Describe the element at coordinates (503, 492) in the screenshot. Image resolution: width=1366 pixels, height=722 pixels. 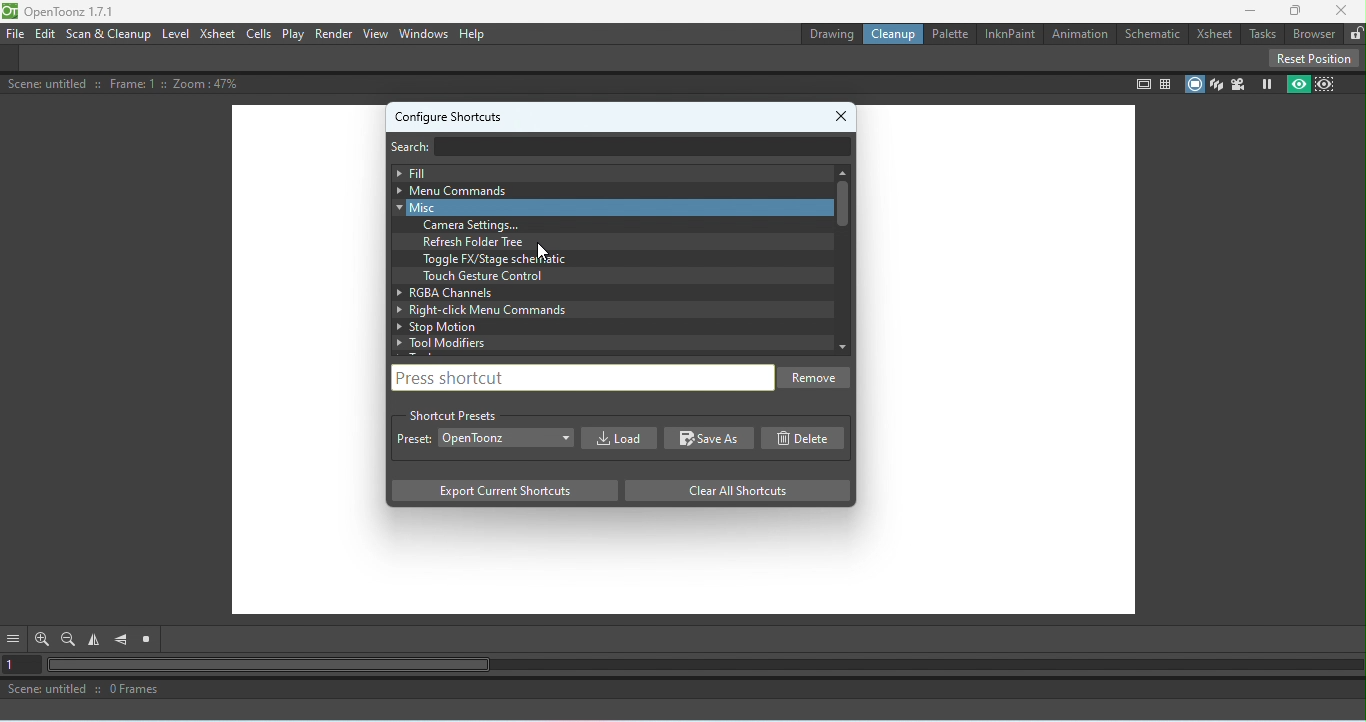
I see `Export current shortcuts` at that location.